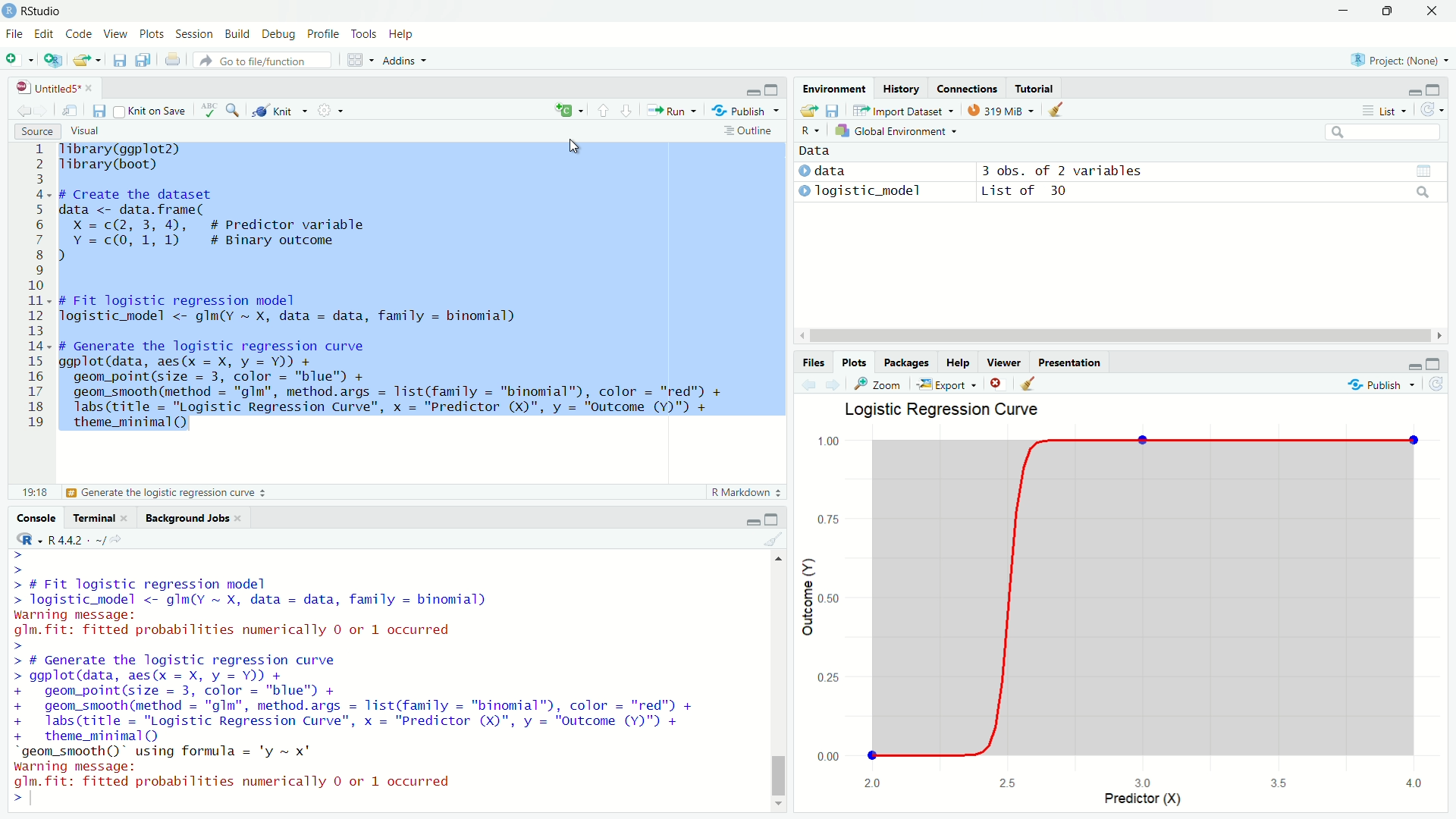  Describe the element at coordinates (237, 33) in the screenshot. I see `Build` at that location.